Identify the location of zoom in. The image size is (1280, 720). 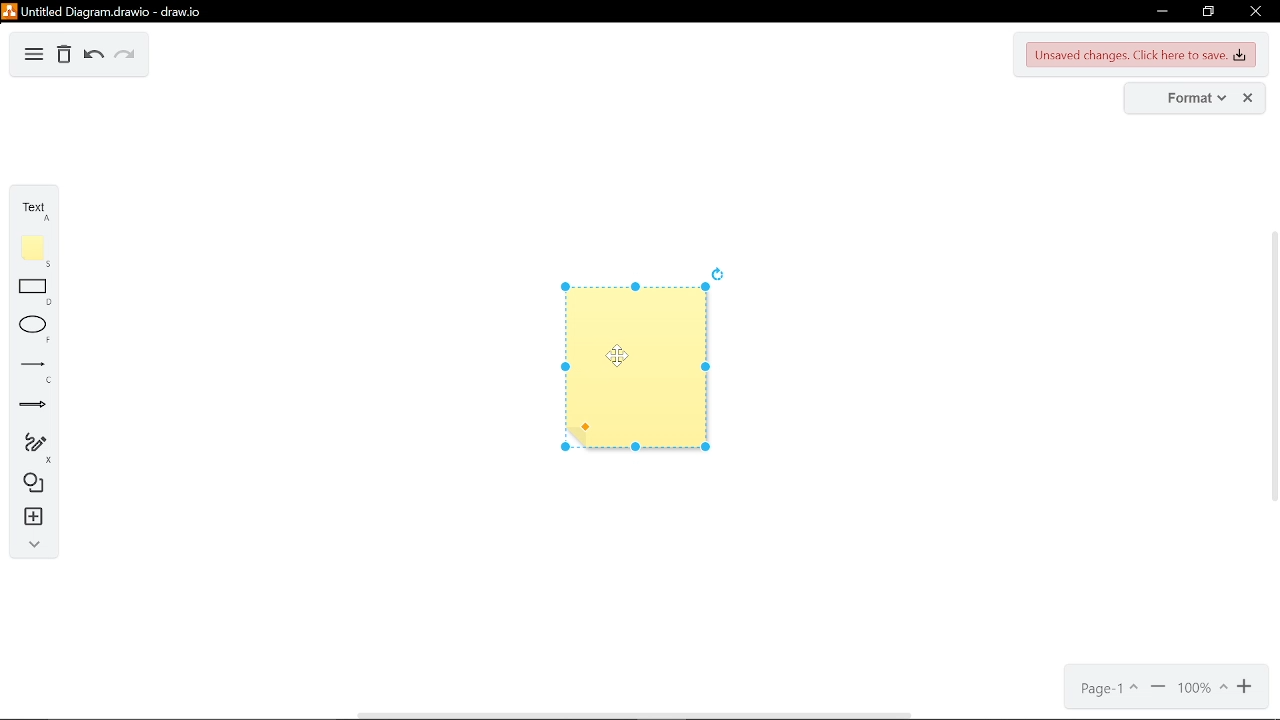
(1246, 688).